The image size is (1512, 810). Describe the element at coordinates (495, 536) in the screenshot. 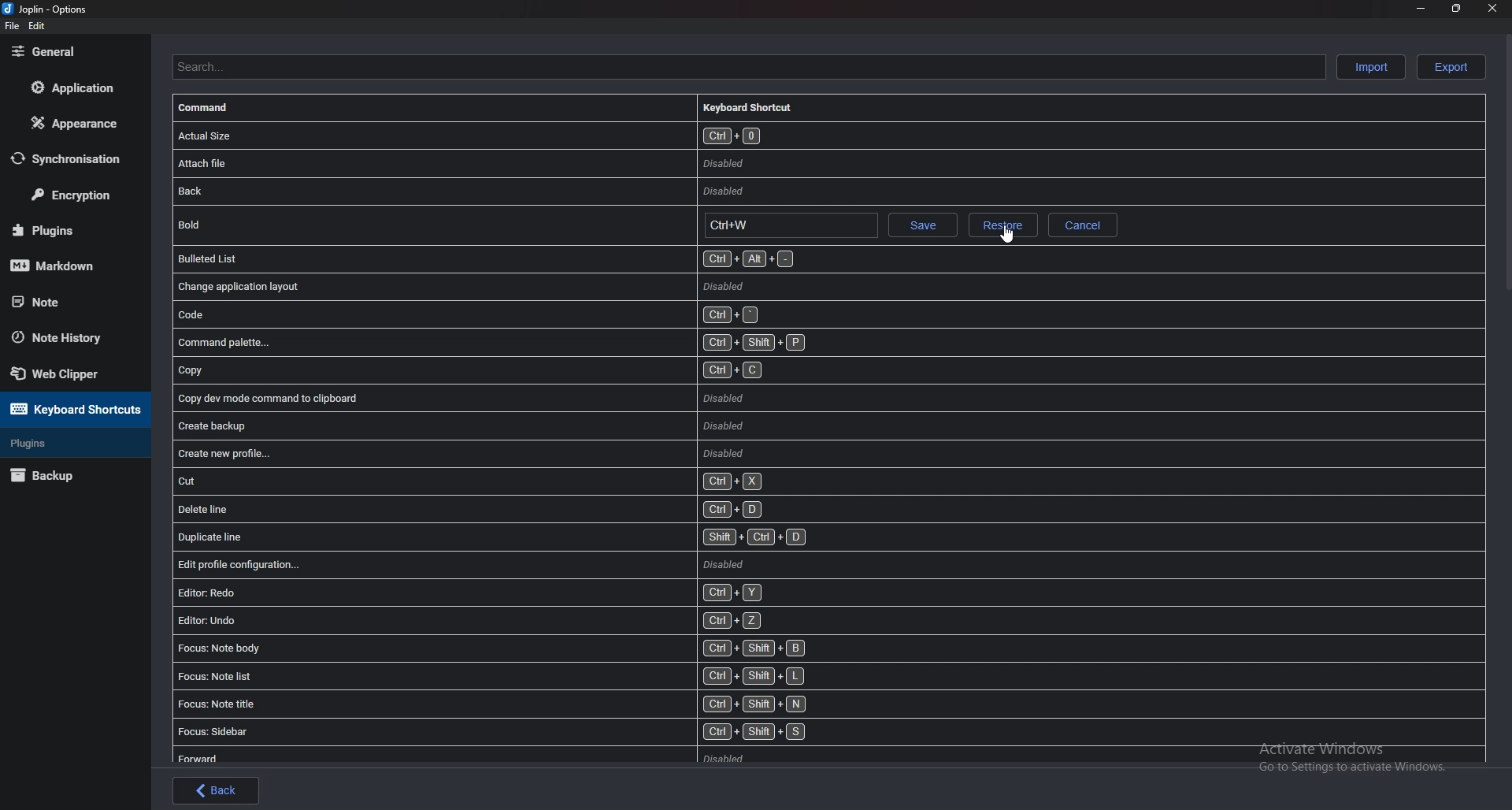

I see `Duplicate line` at that location.